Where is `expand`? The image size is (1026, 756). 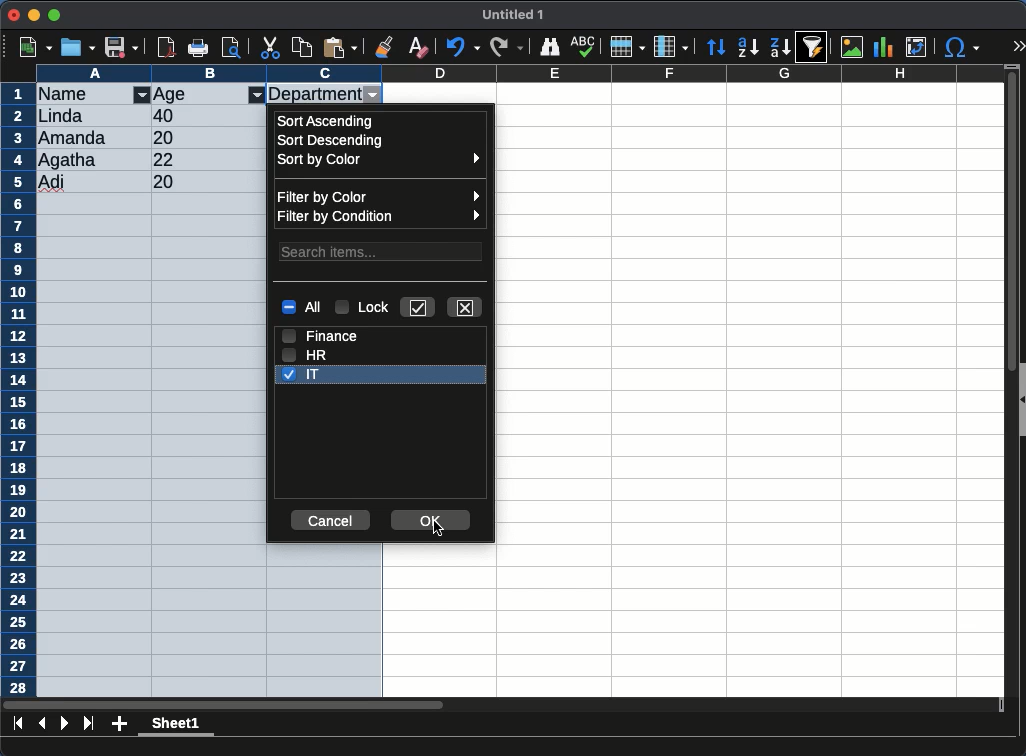
expand is located at coordinates (1018, 48).